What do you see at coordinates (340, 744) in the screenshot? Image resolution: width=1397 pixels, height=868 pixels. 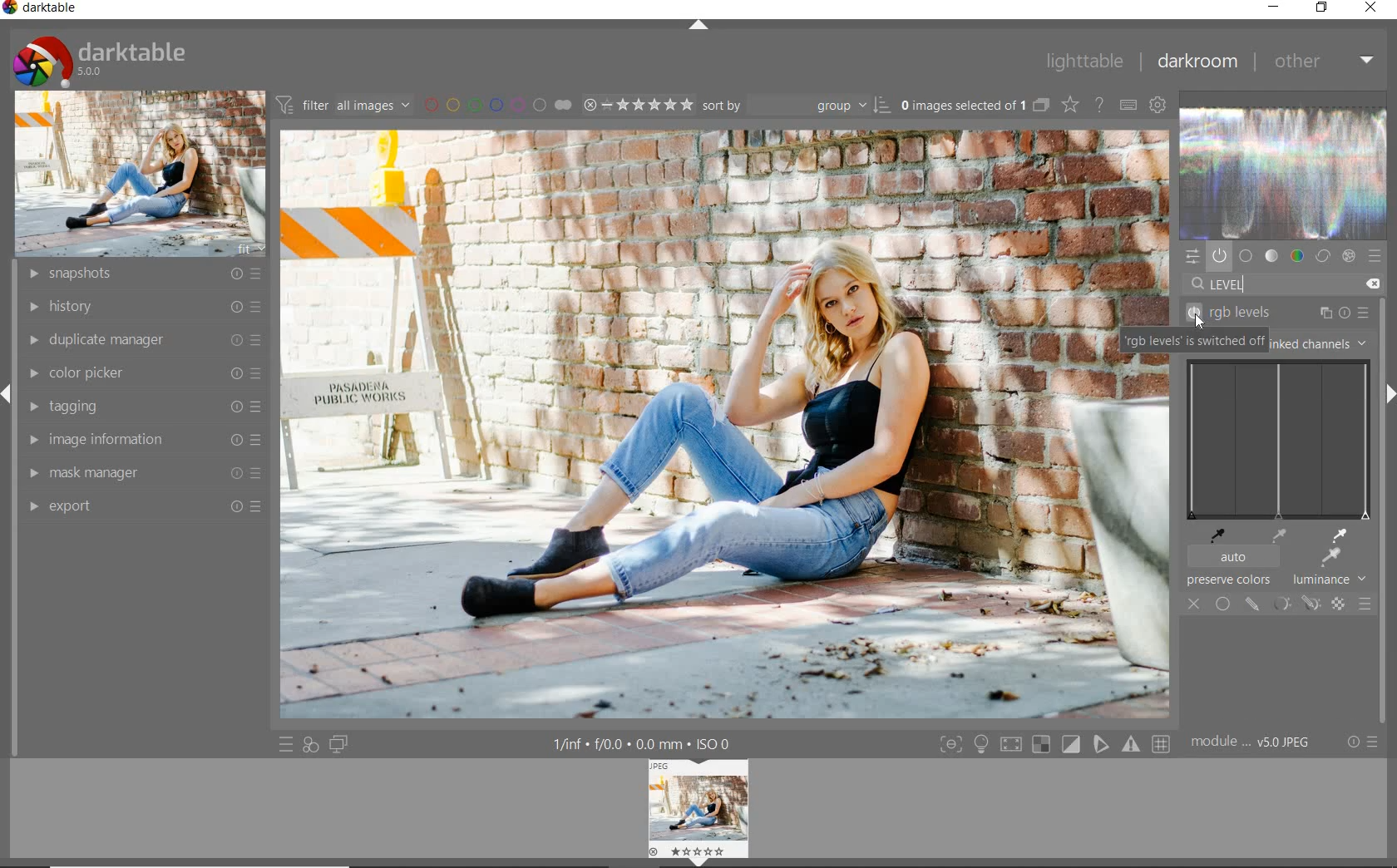 I see `display a second darkroom image widow` at bounding box center [340, 744].